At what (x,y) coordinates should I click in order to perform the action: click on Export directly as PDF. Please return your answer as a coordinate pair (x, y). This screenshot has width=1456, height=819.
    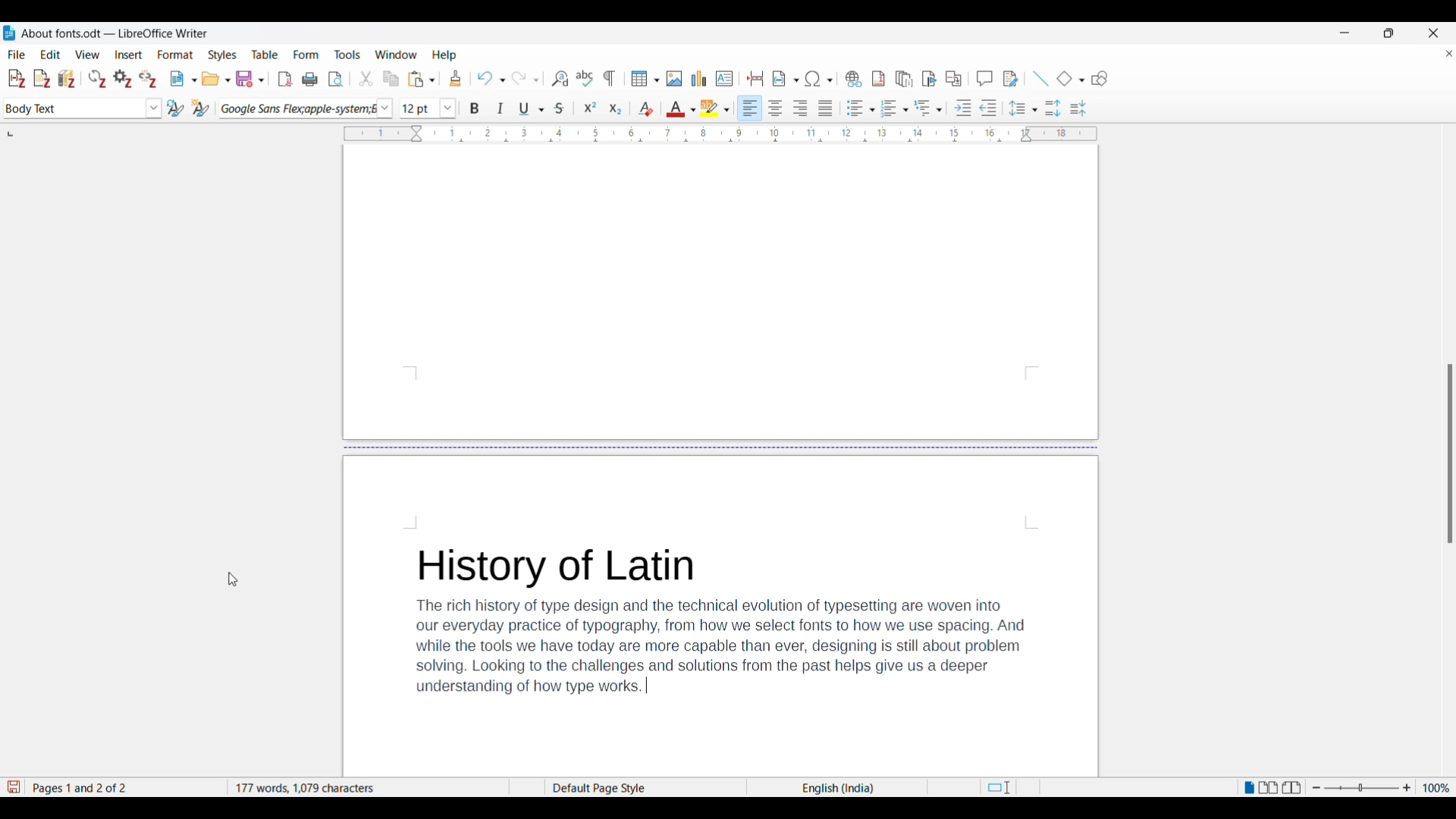
    Looking at the image, I should click on (285, 80).